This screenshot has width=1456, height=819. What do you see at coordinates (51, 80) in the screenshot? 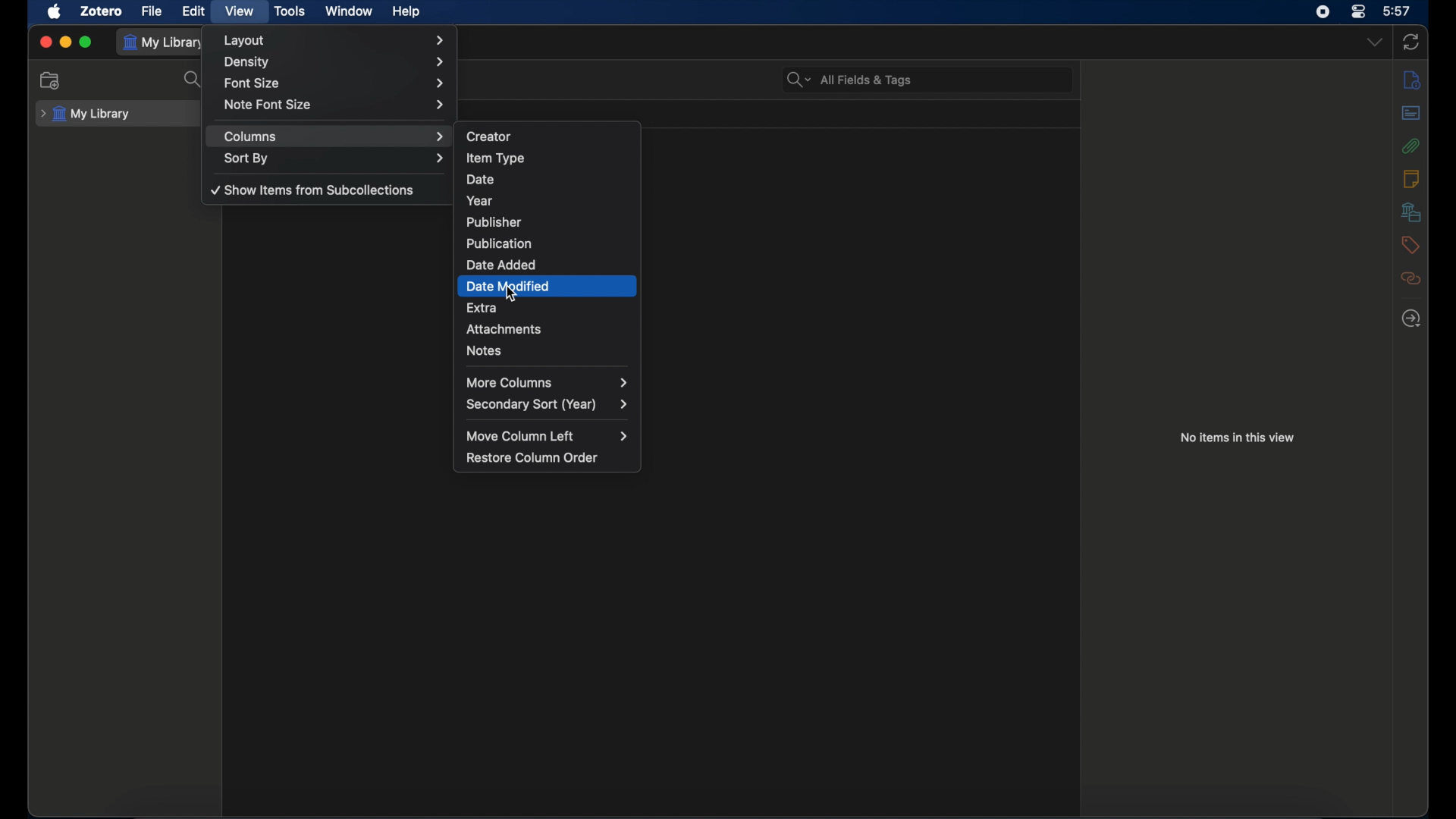
I see `new collection` at bounding box center [51, 80].